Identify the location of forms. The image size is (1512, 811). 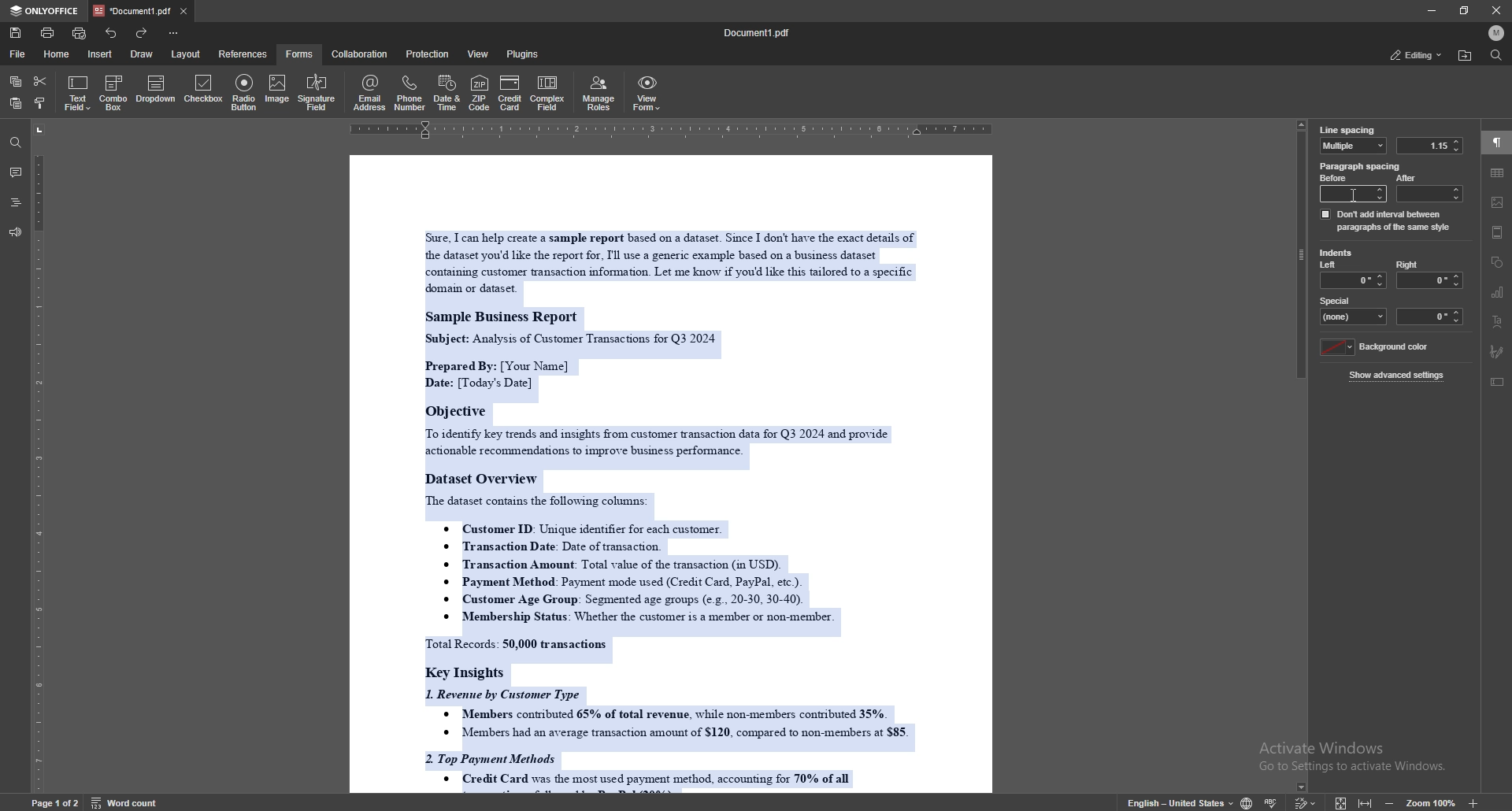
(301, 54).